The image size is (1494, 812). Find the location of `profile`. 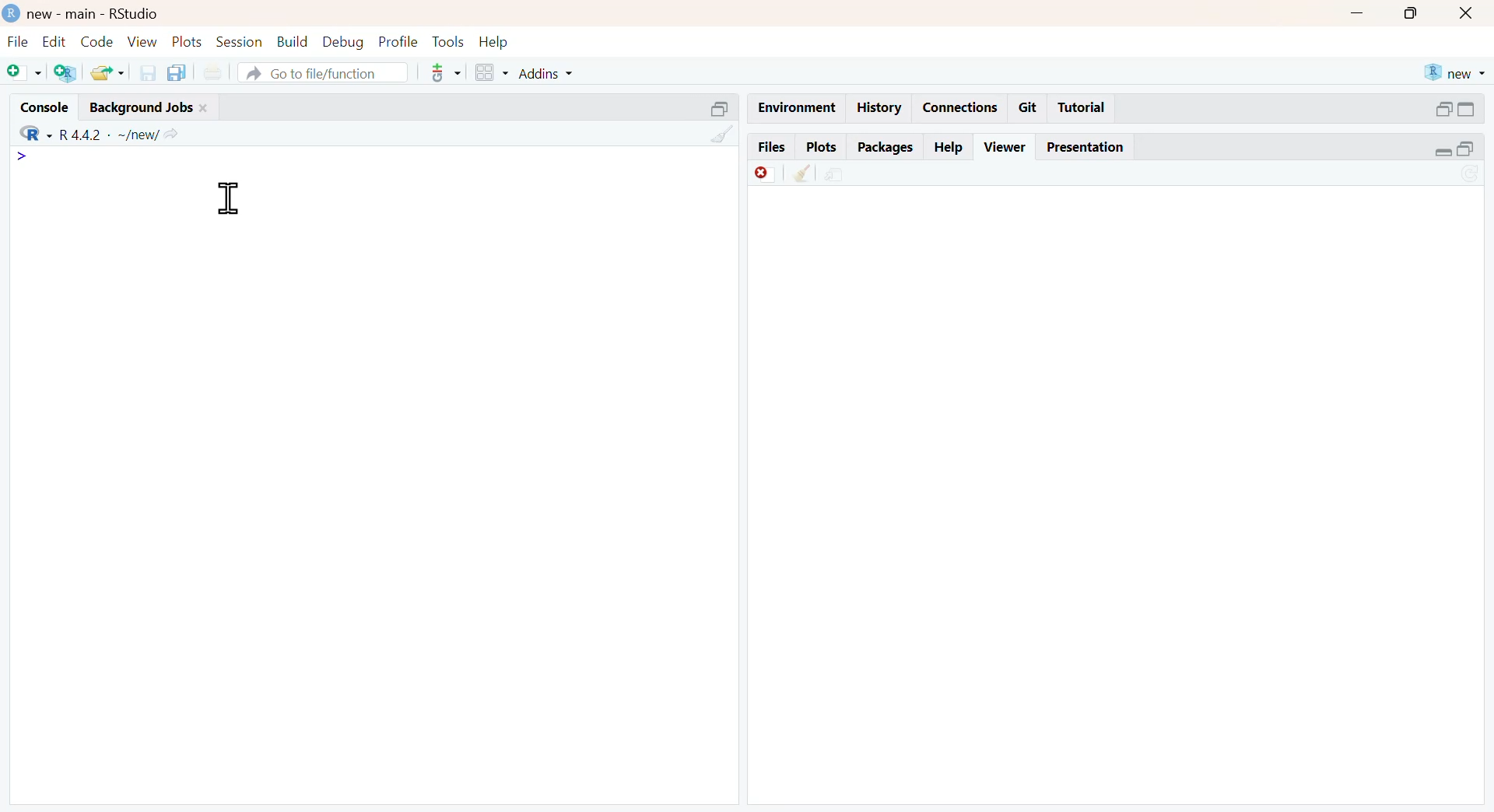

profile is located at coordinates (400, 42).